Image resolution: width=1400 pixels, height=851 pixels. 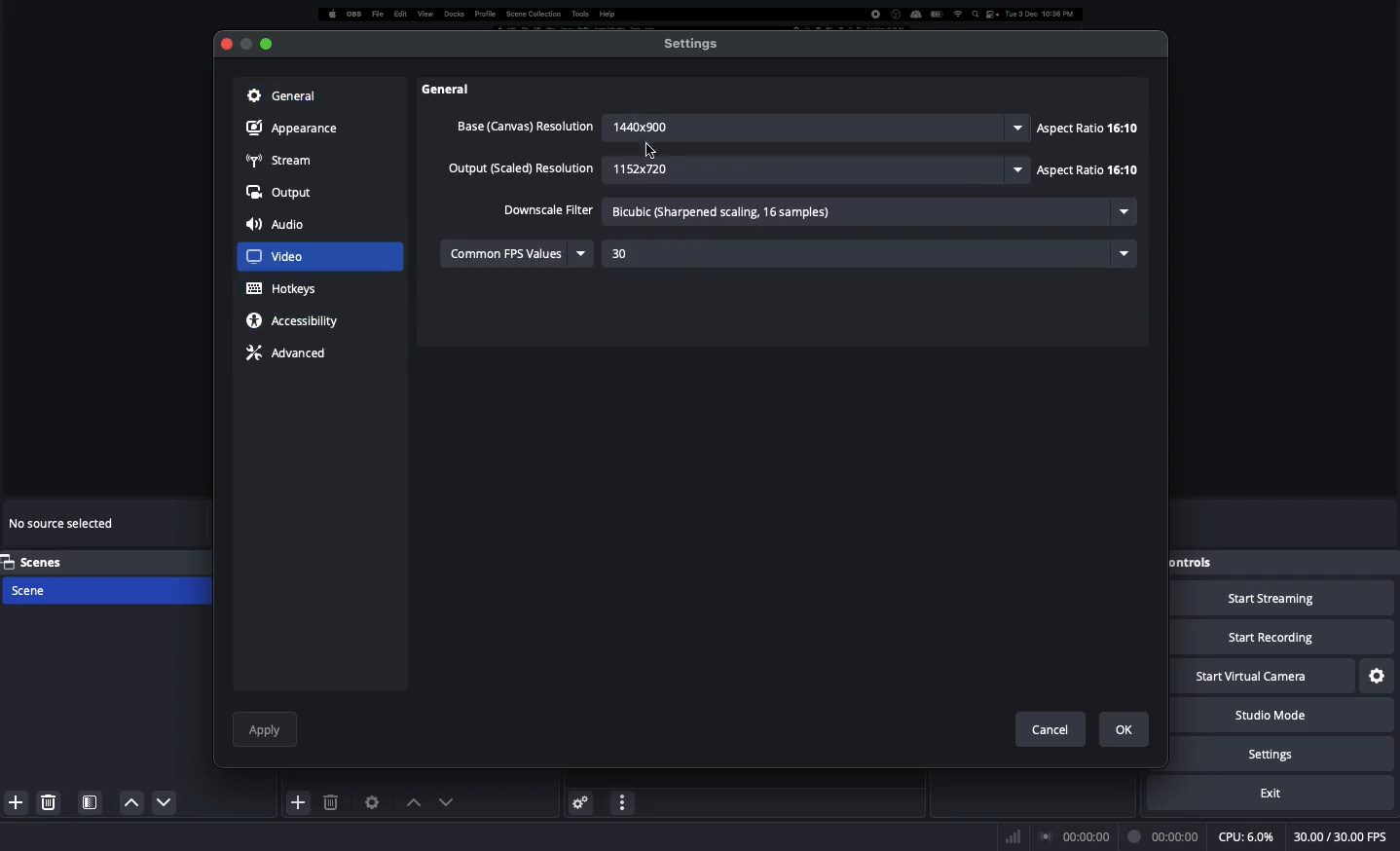 I want to click on Output, so click(x=280, y=194).